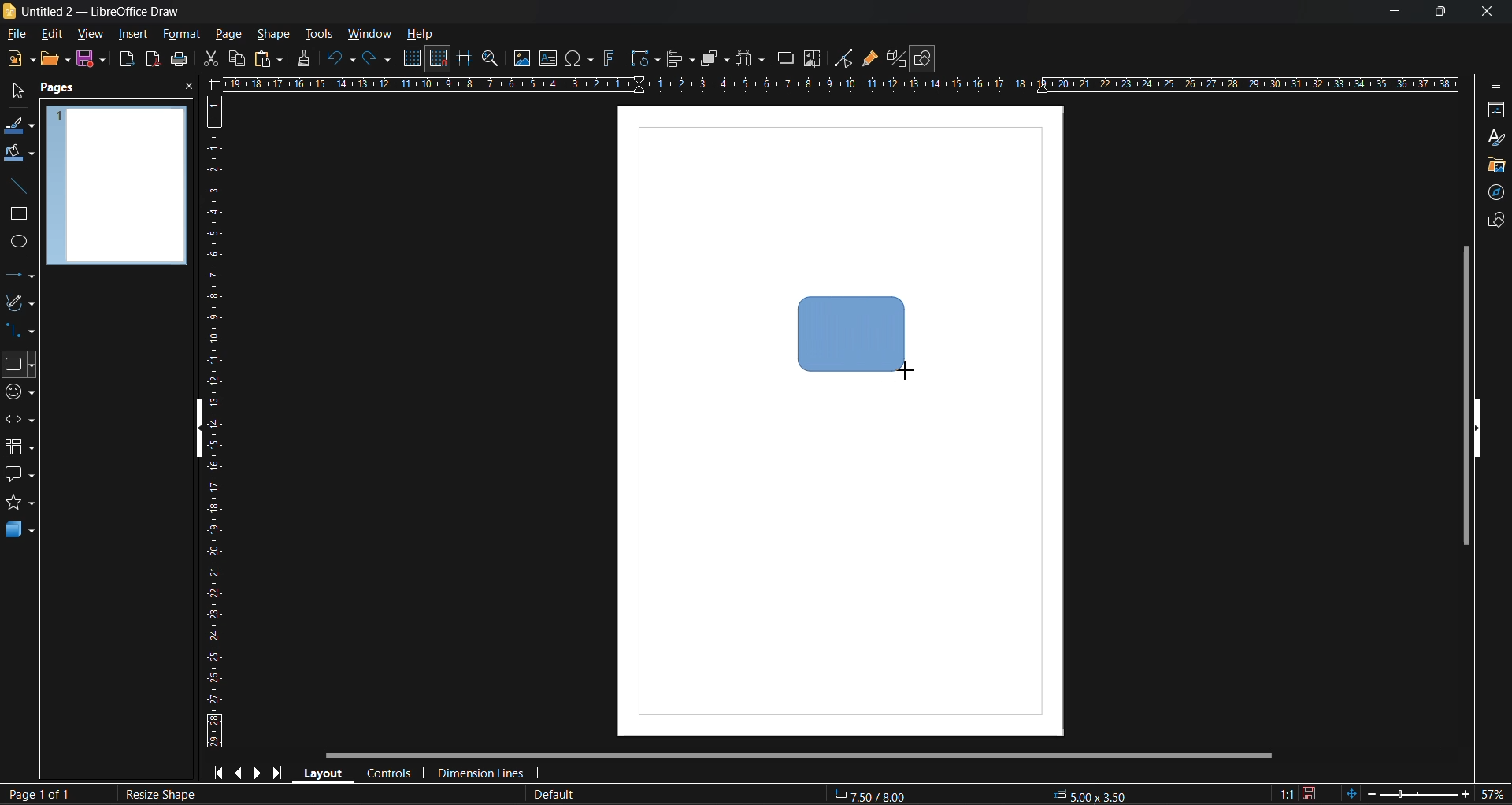 This screenshot has width=1512, height=805. Describe the element at coordinates (1351, 793) in the screenshot. I see `fit to window` at that location.